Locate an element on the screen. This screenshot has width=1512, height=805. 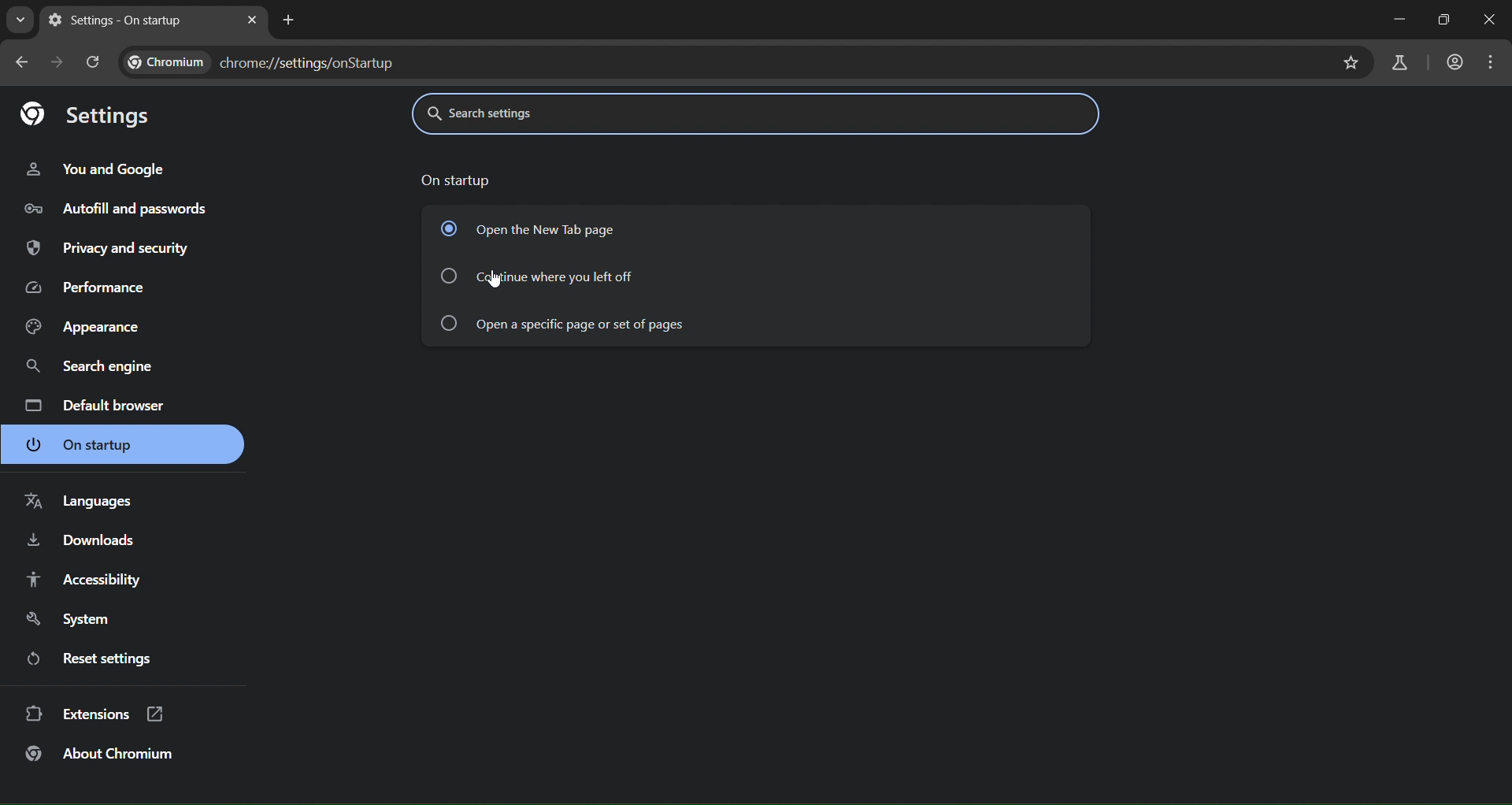
search engine is located at coordinates (83, 367).